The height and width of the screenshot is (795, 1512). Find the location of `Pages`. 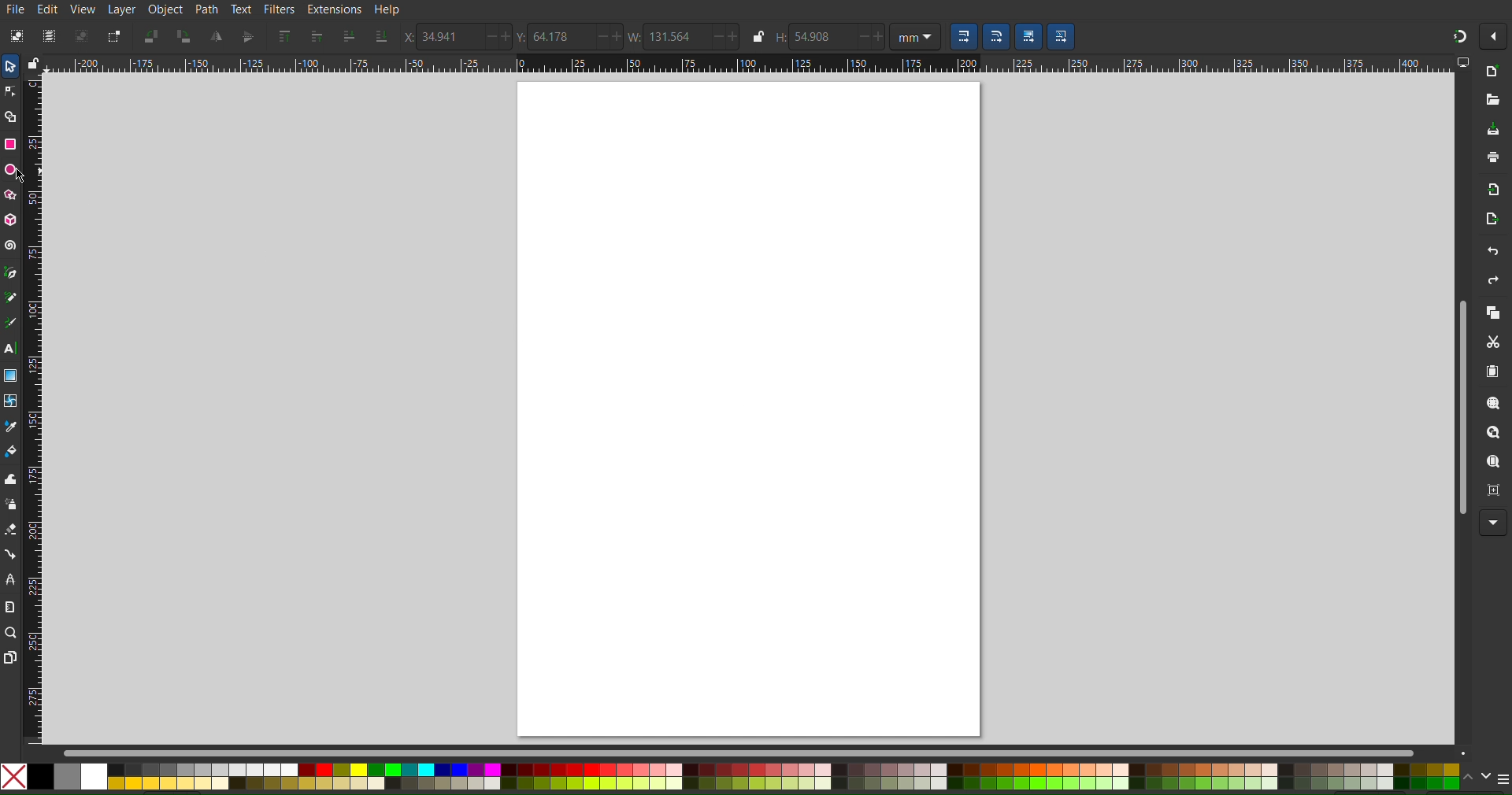

Pages is located at coordinates (10, 655).